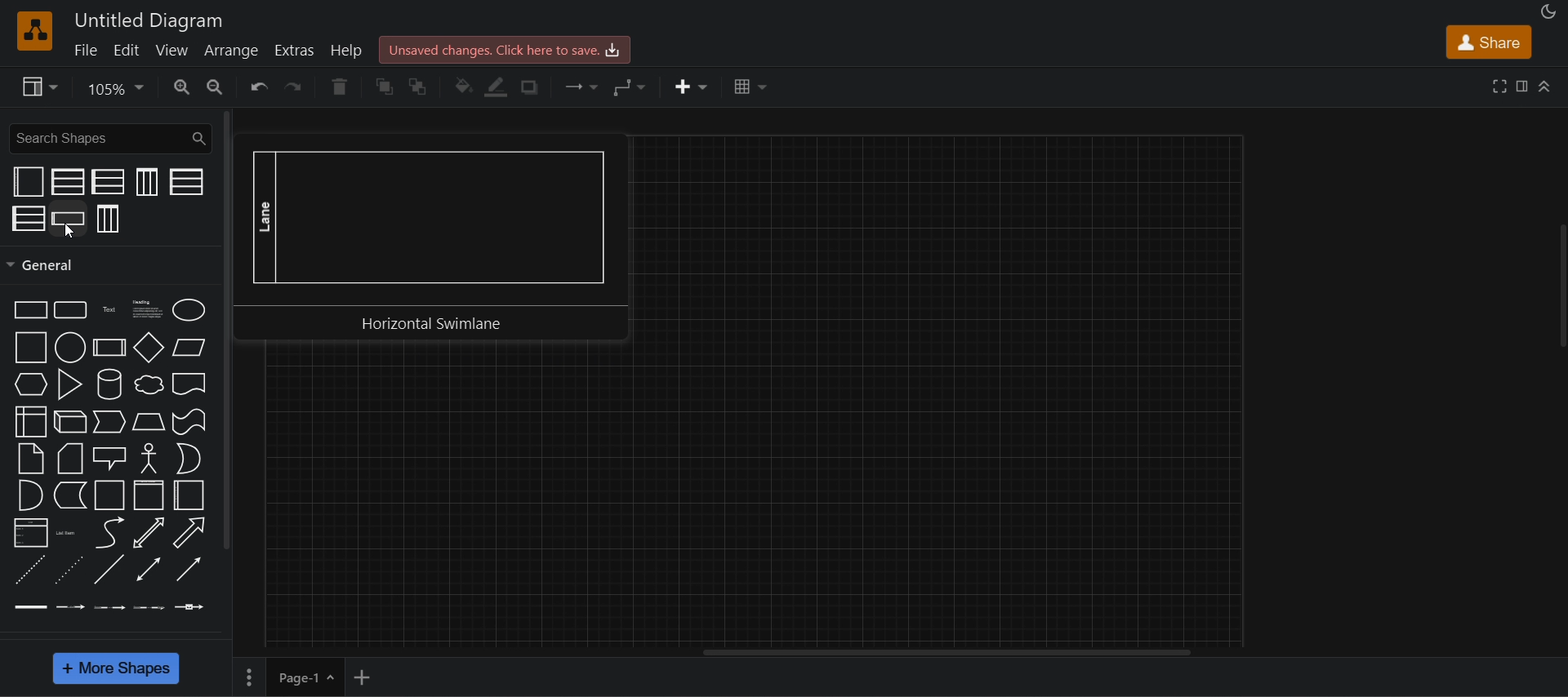 The image size is (1568, 697). Describe the element at coordinates (125, 50) in the screenshot. I see `edit` at that location.